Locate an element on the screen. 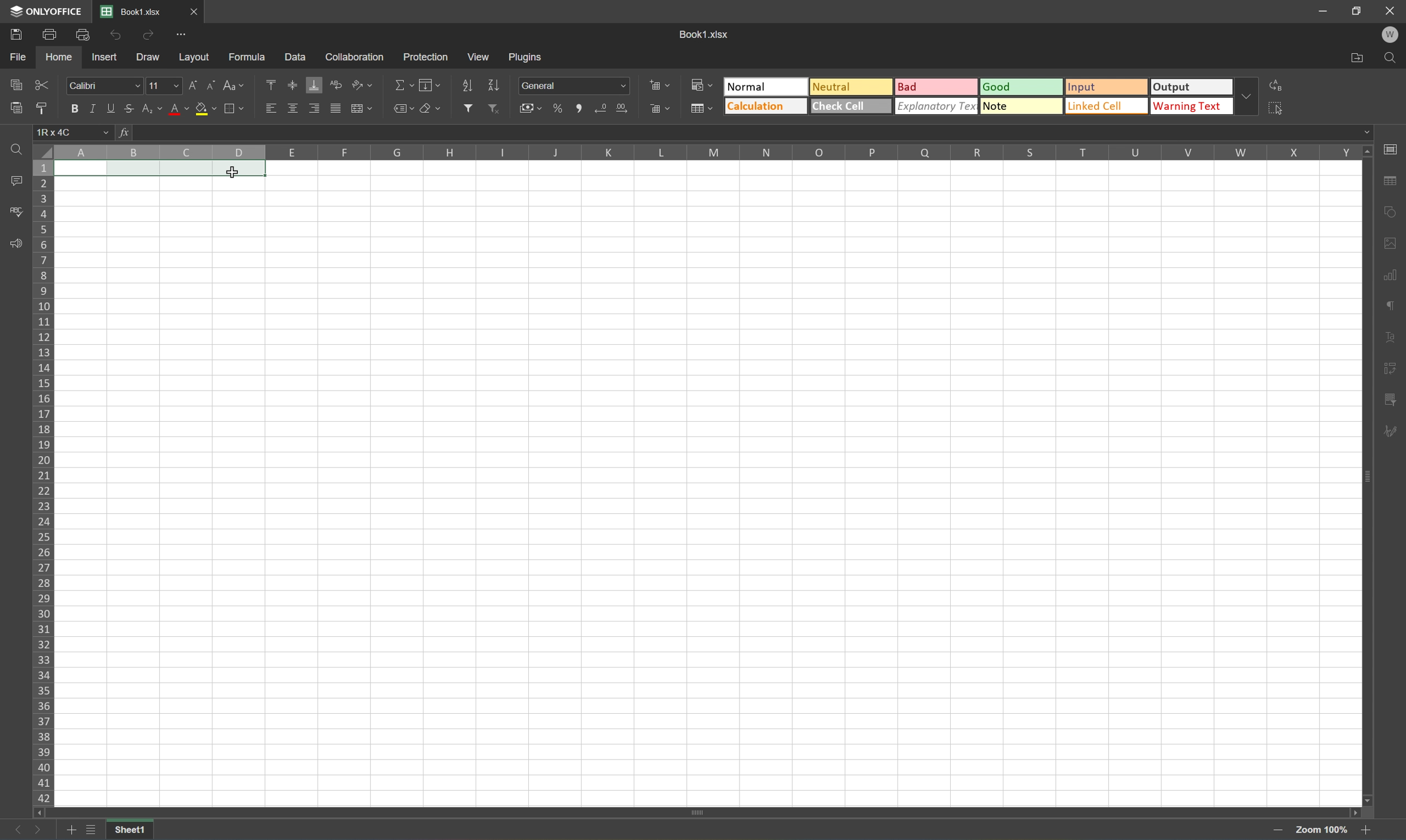 The width and height of the screenshot is (1406, 840). Collaboration is located at coordinates (359, 57).